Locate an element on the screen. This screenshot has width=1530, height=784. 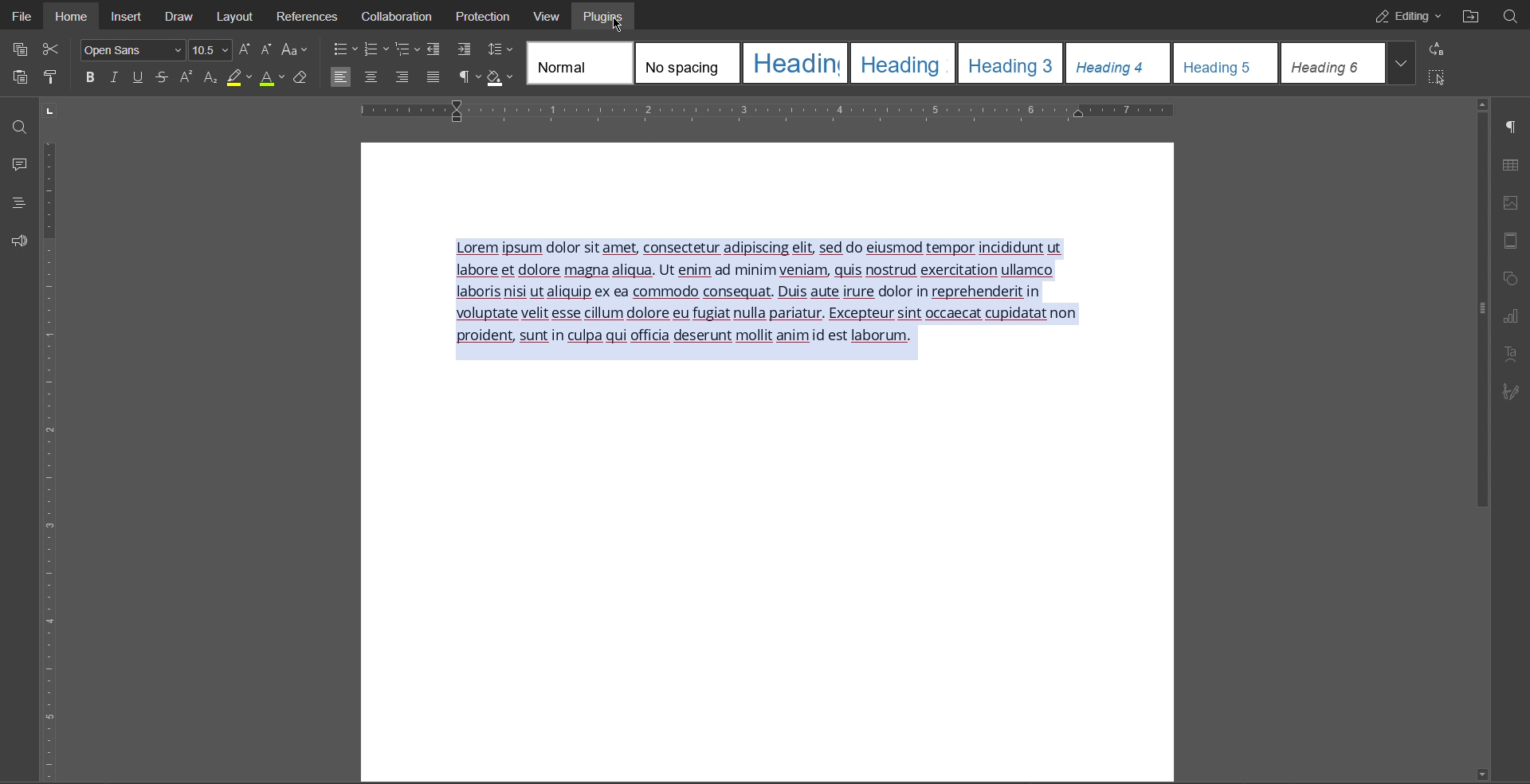
Formatting is located at coordinates (210, 80).